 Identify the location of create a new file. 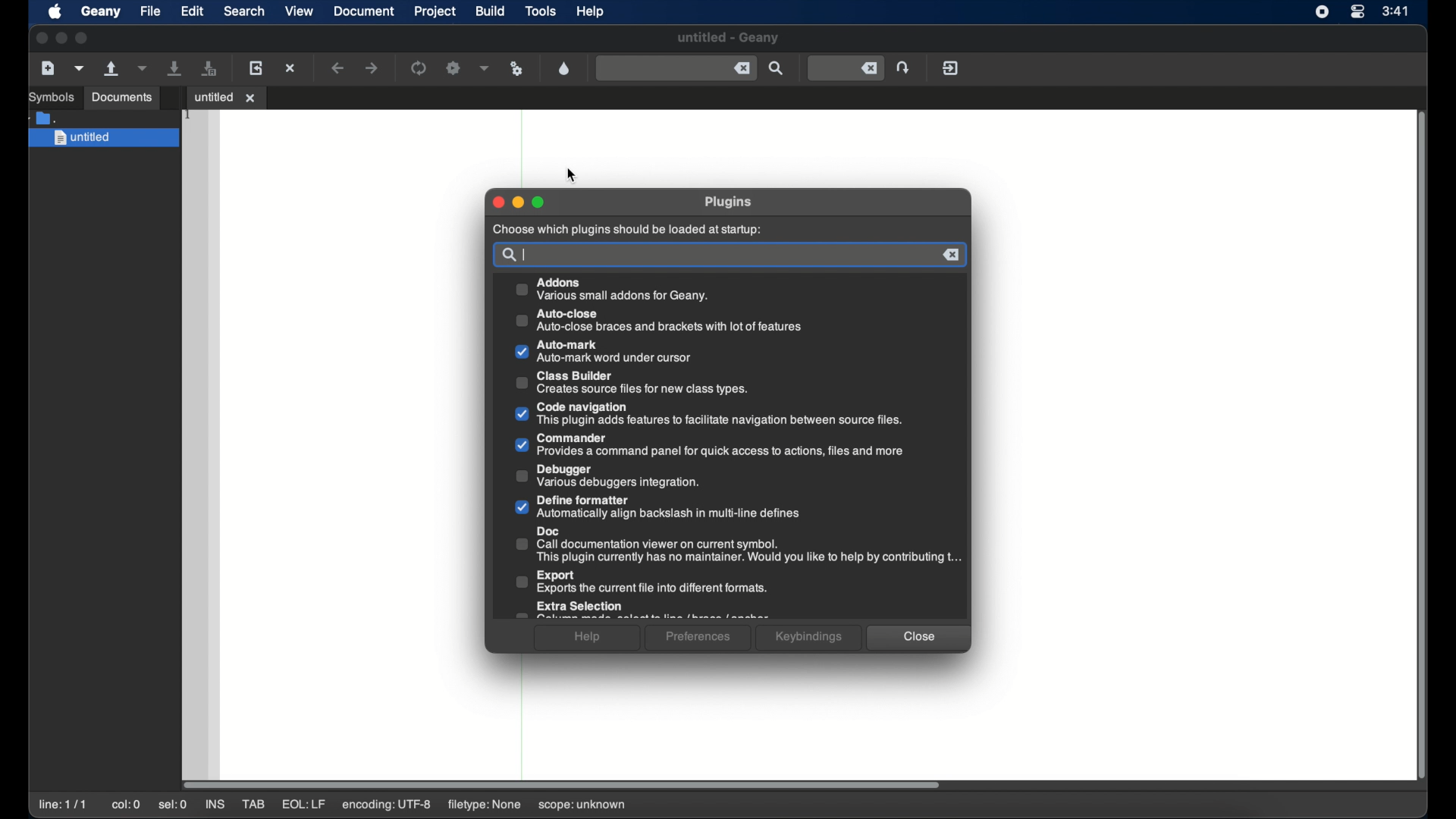
(48, 68).